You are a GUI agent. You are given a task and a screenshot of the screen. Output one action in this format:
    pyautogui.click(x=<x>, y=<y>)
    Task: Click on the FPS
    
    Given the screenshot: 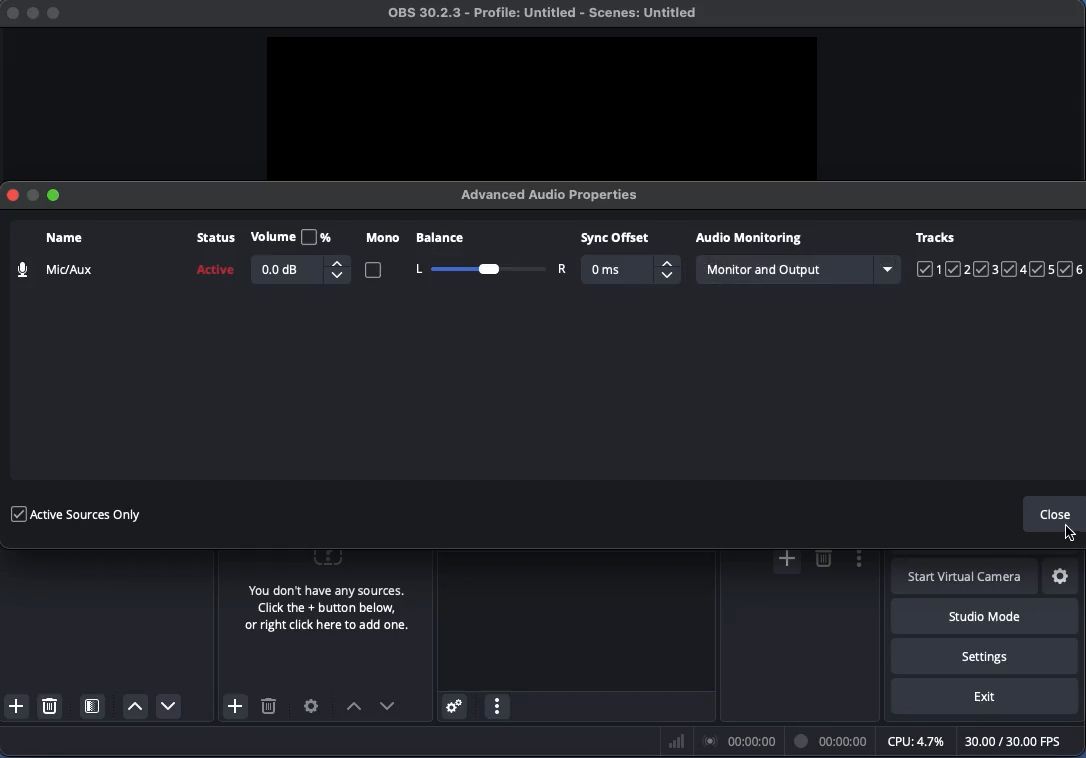 What is the action you would take?
    pyautogui.click(x=1022, y=741)
    